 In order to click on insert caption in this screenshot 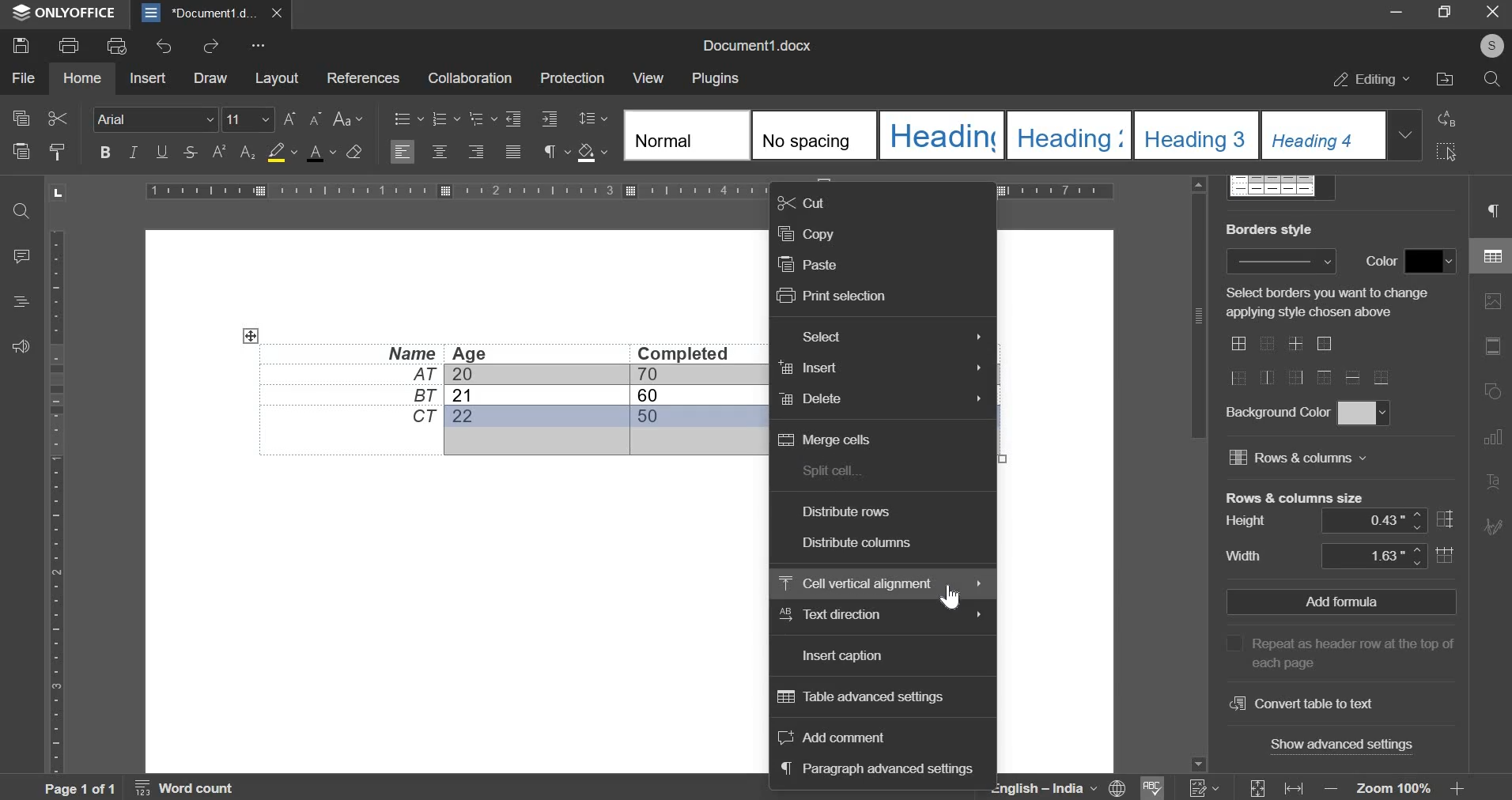, I will do `click(843, 658)`.